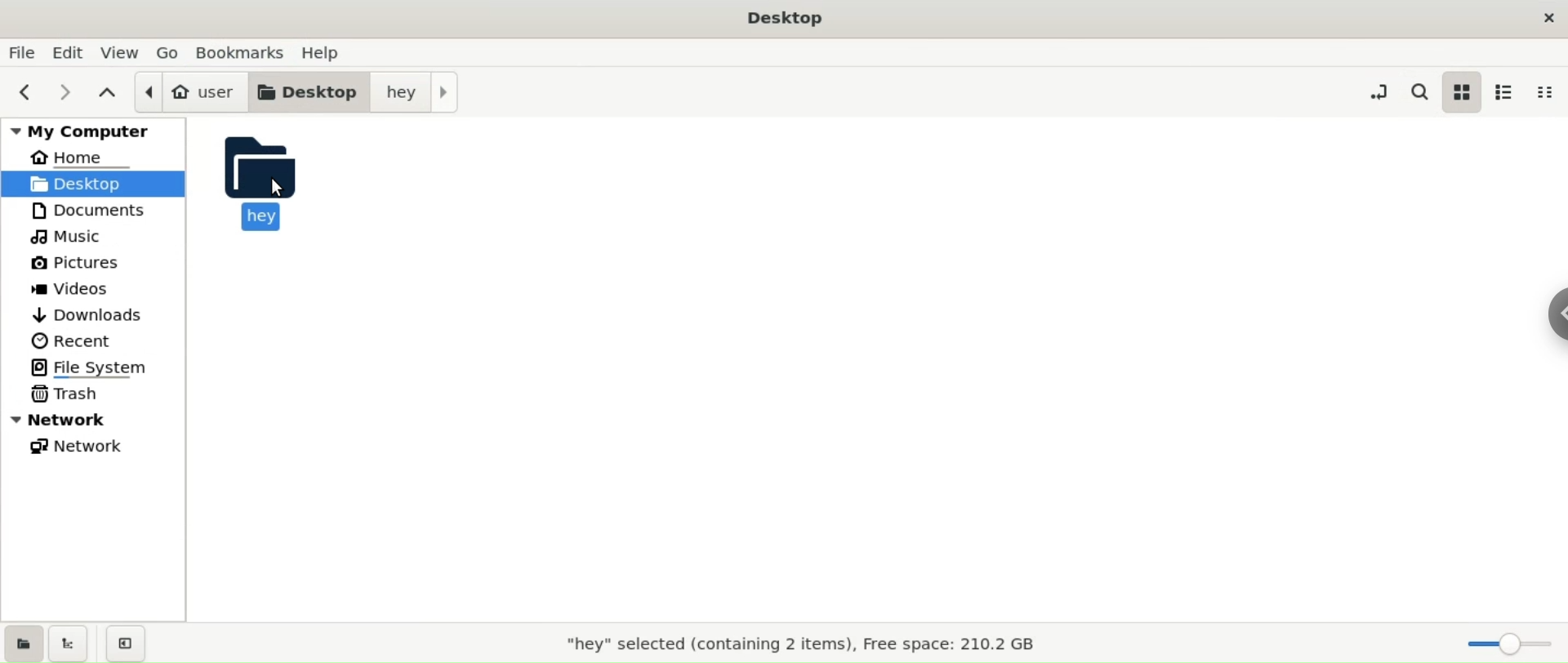 This screenshot has height=663, width=1568. I want to click on edit, so click(67, 51).